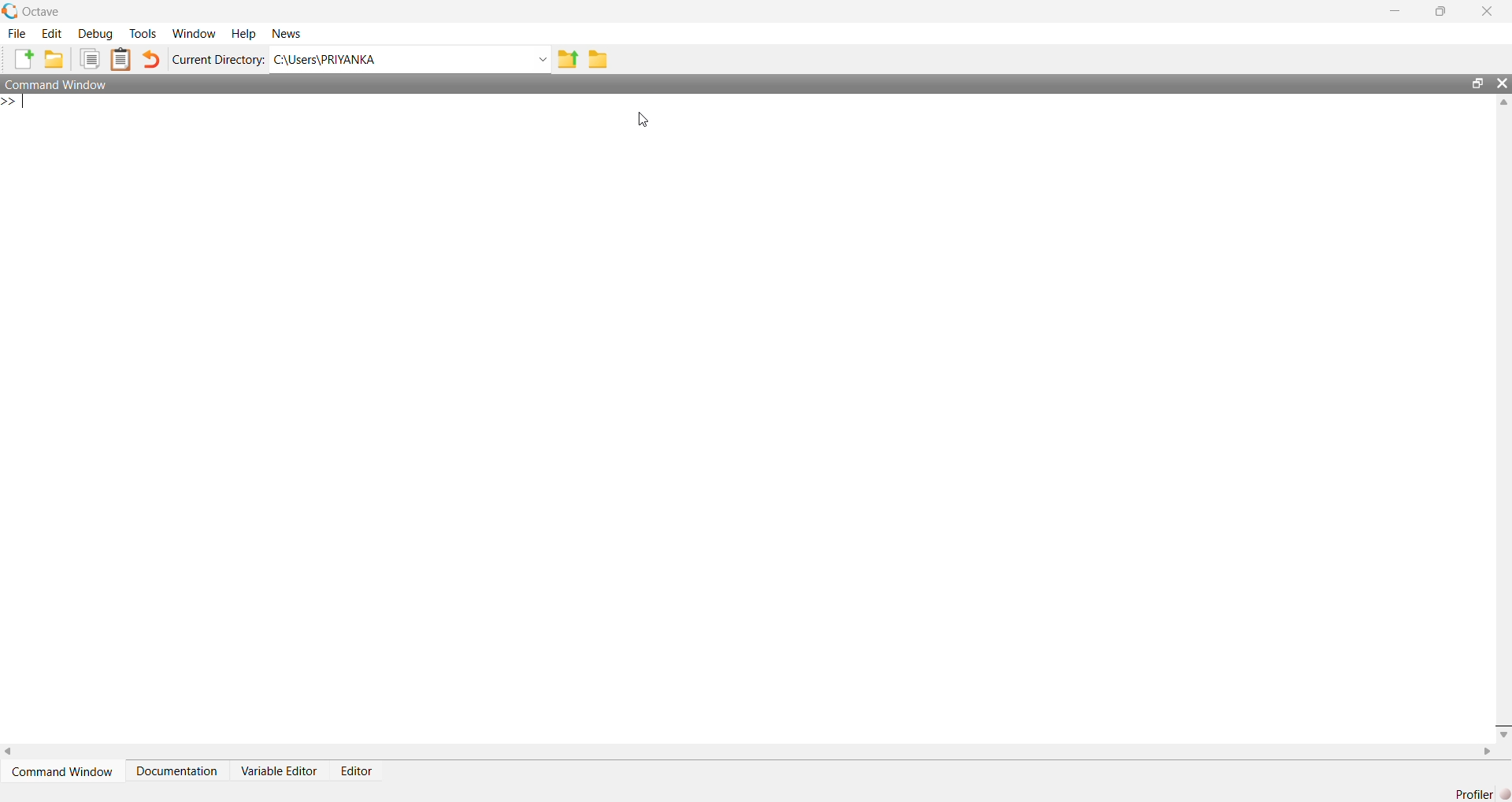 The width and height of the screenshot is (1512, 802). Describe the element at coordinates (58, 84) in the screenshot. I see `Command Window` at that location.